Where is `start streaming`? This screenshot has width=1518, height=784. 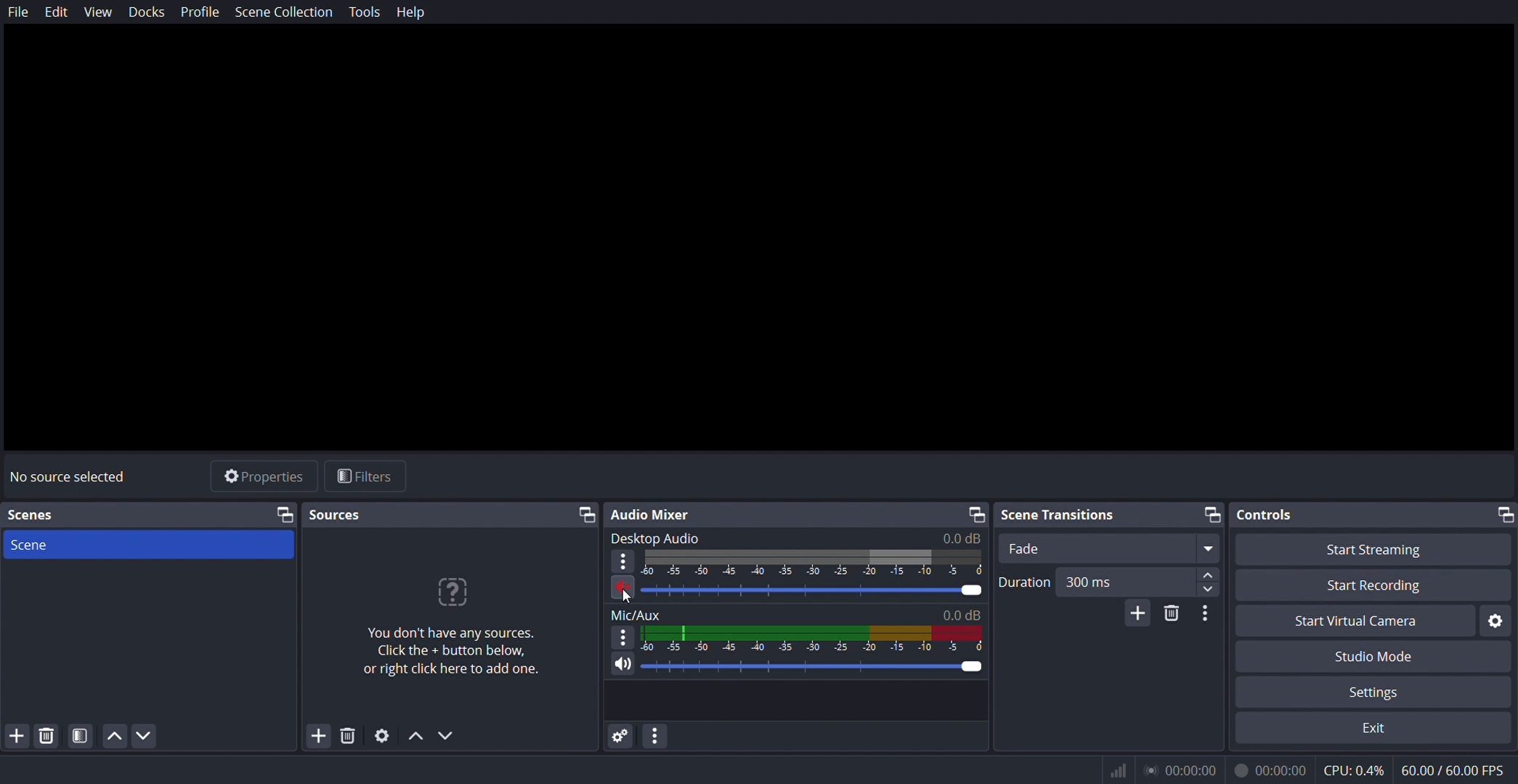 start streaming is located at coordinates (1378, 550).